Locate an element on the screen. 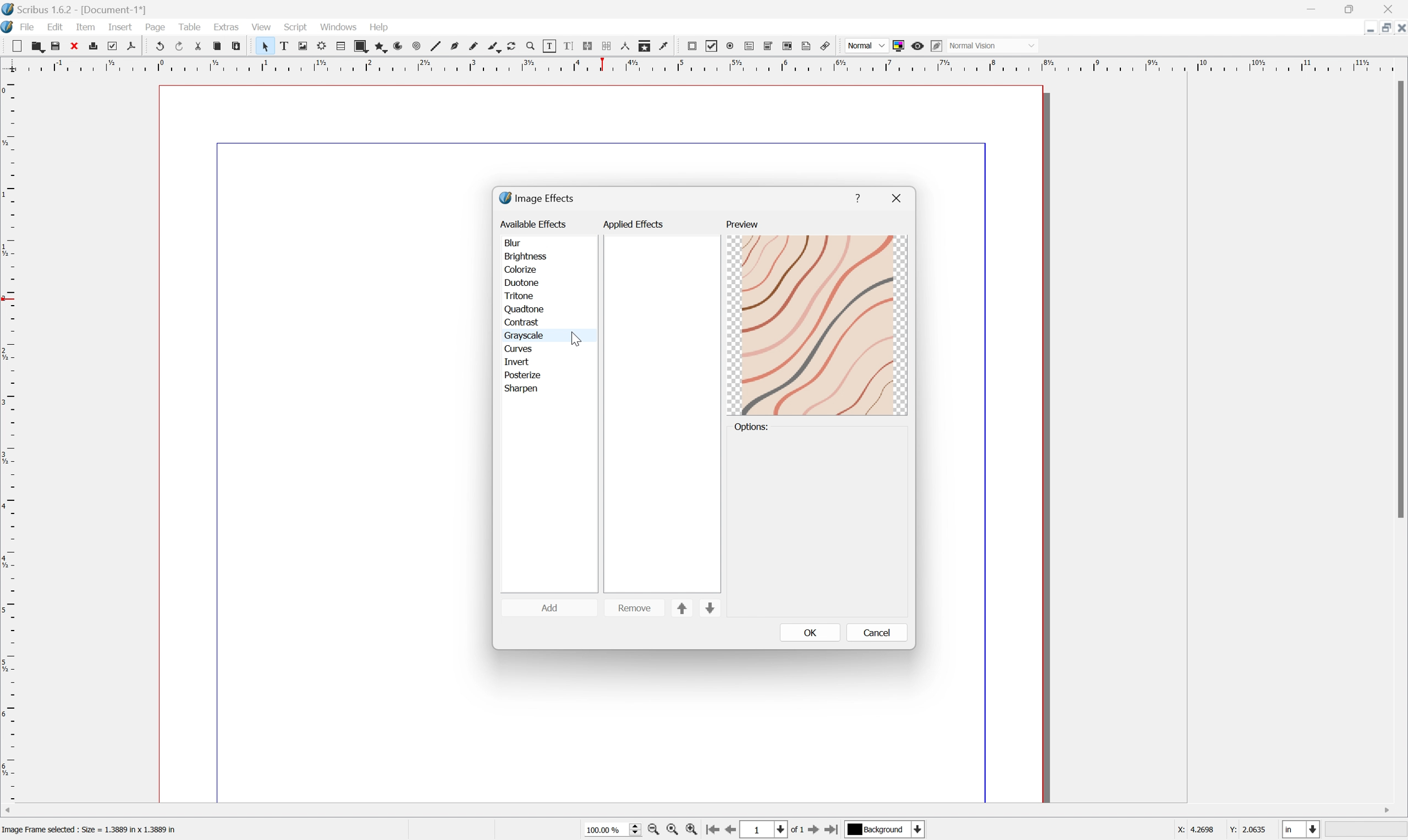 The width and height of the screenshot is (1408, 840). Close is located at coordinates (76, 46).